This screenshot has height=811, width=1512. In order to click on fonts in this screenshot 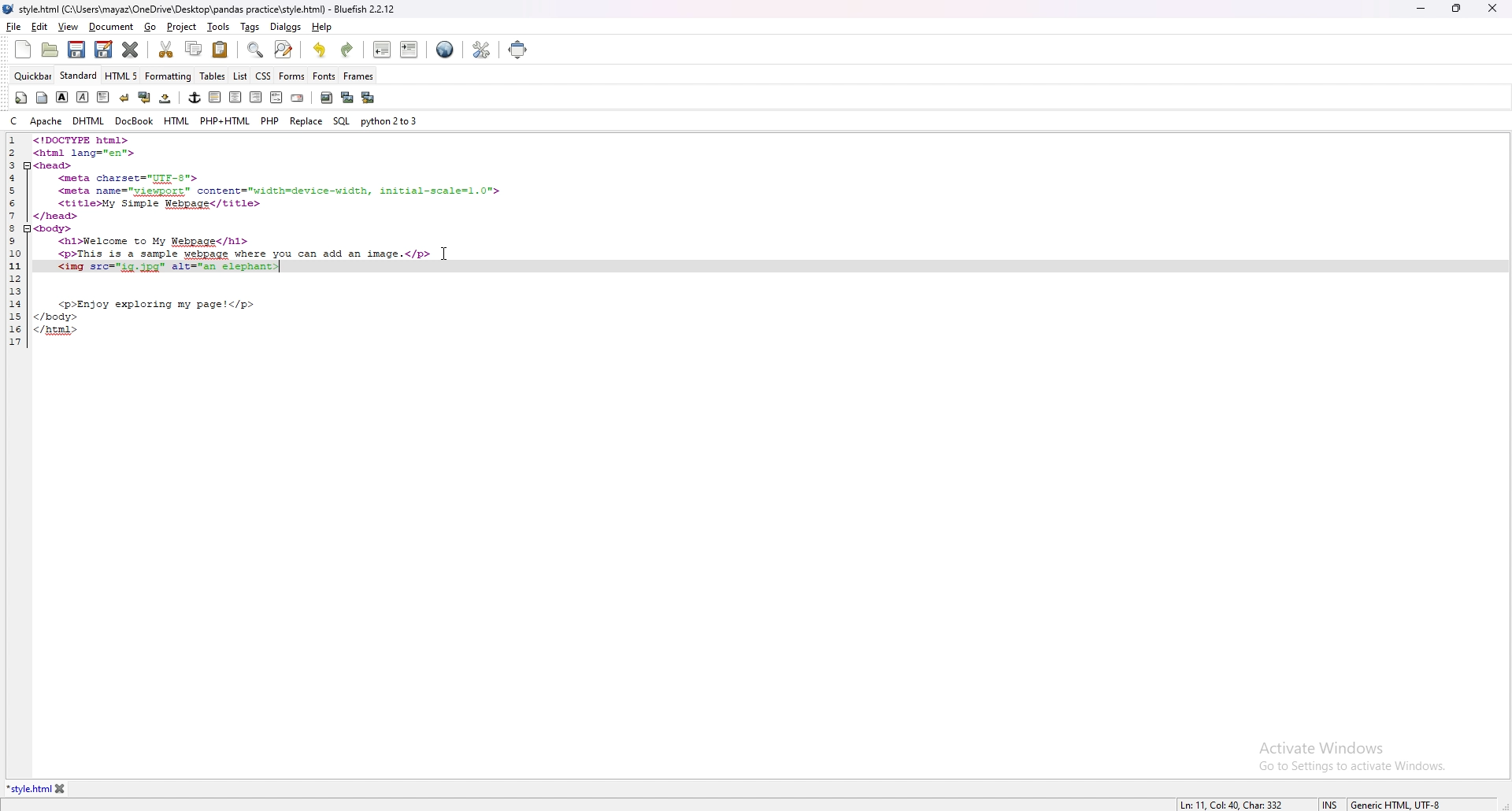, I will do `click(324, 76)`.